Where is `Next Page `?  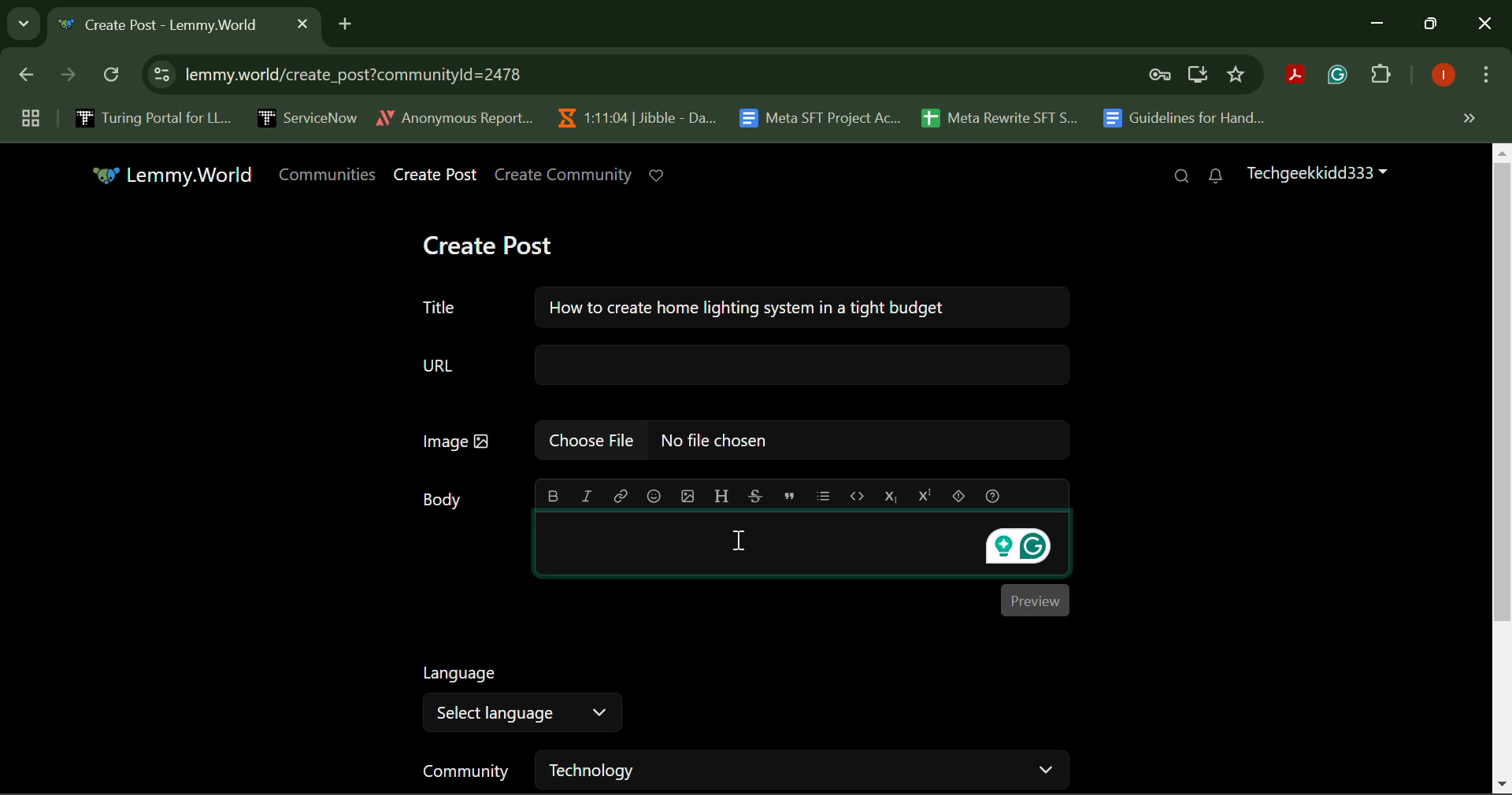 Next Page  is located at coordinates (66, 79).